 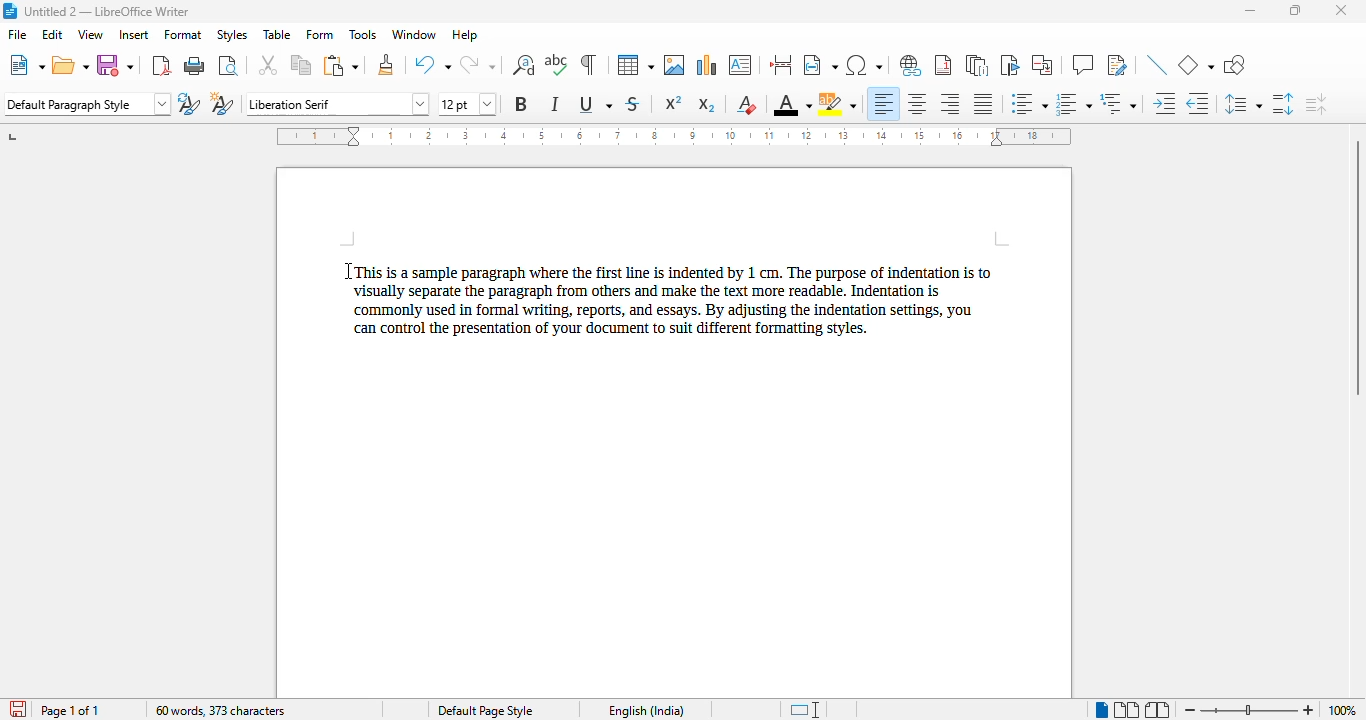 What do you see at coordinates (18, 709) in the screenshot?
I see `click to save the document` at bounding box center [18, 709].